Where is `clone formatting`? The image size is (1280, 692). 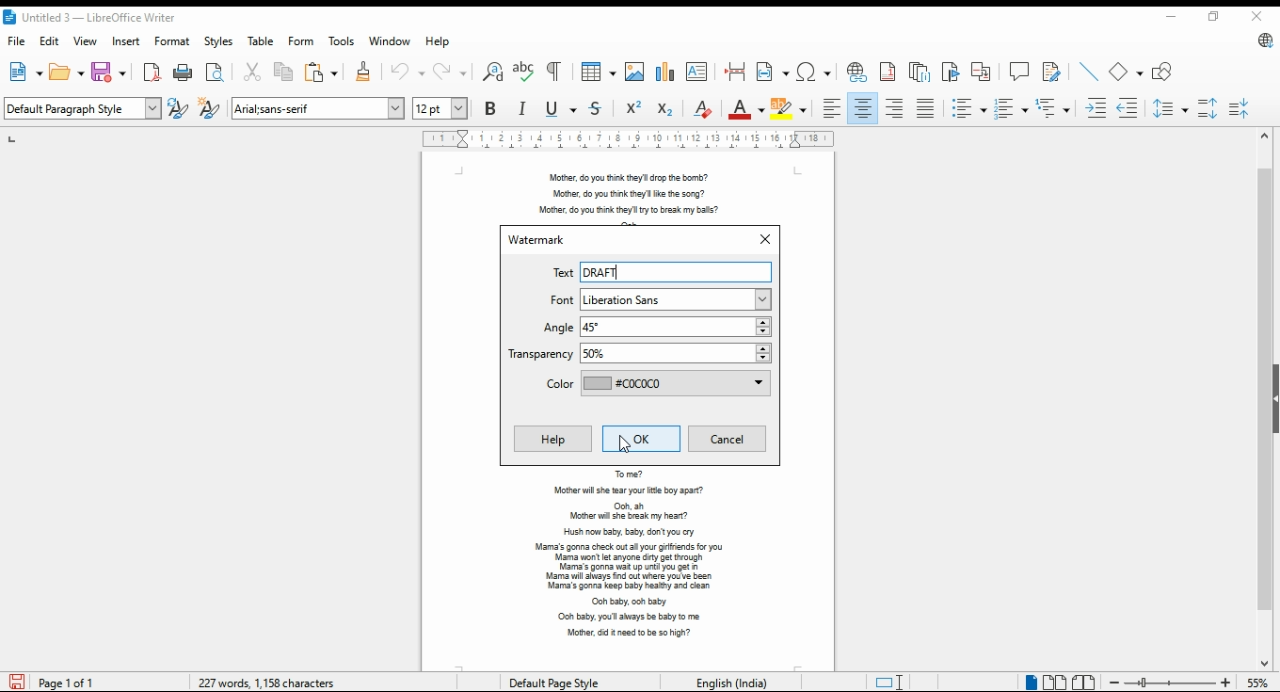 clone formatting is located at coordinates (364, 72).